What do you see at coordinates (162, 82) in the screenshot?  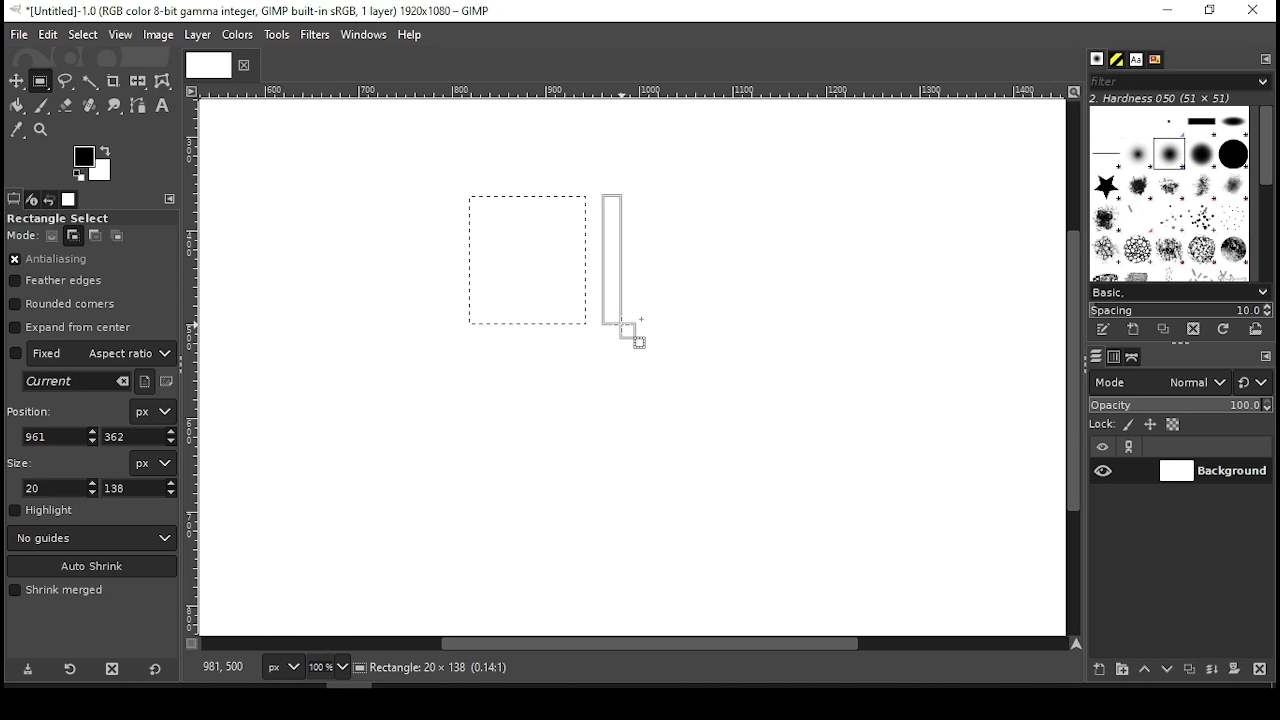 I see `warp transform tool` at bounding box center [162, 82].